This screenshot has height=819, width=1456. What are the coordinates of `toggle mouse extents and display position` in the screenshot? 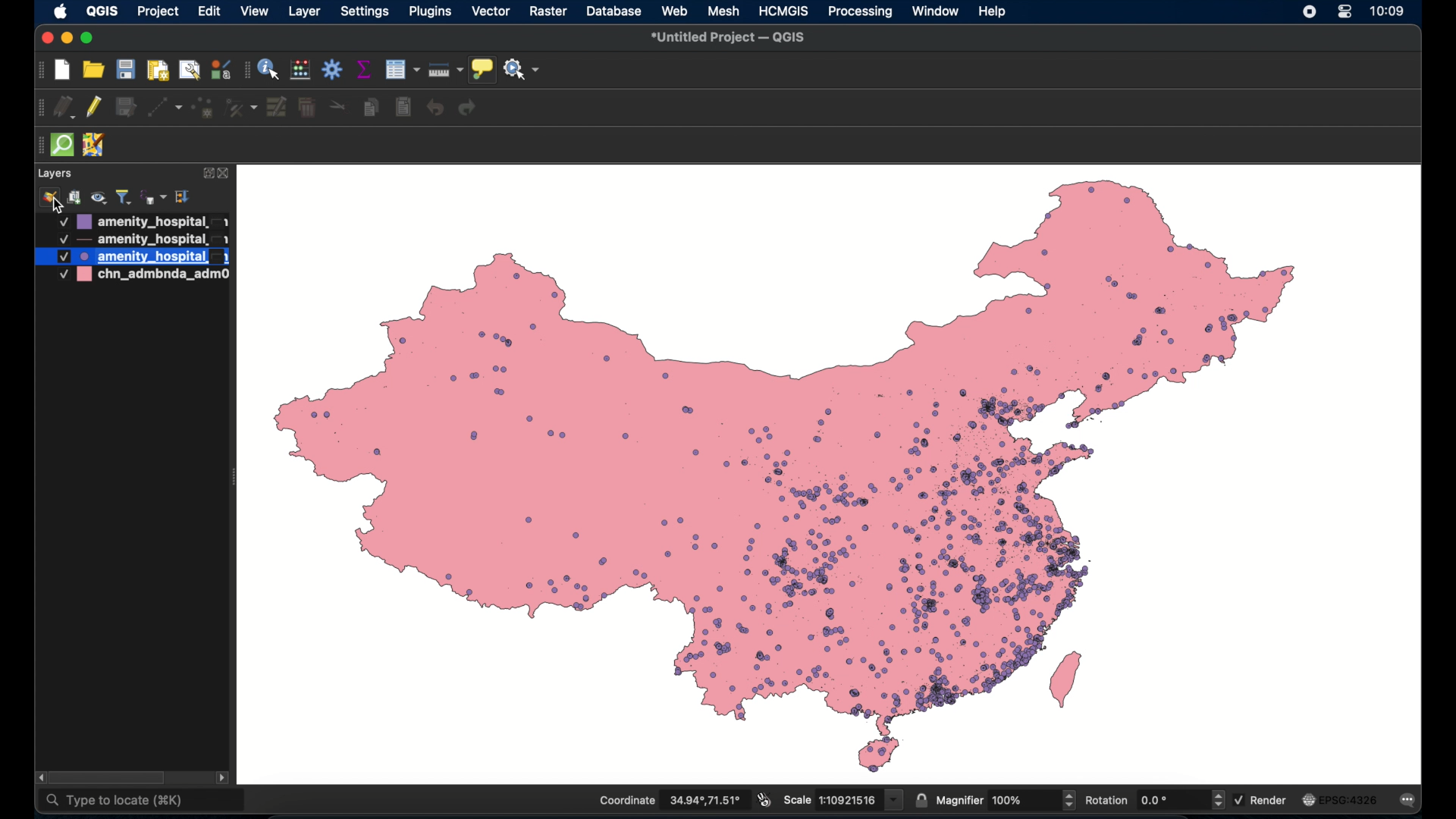 It's located at (764, 799).